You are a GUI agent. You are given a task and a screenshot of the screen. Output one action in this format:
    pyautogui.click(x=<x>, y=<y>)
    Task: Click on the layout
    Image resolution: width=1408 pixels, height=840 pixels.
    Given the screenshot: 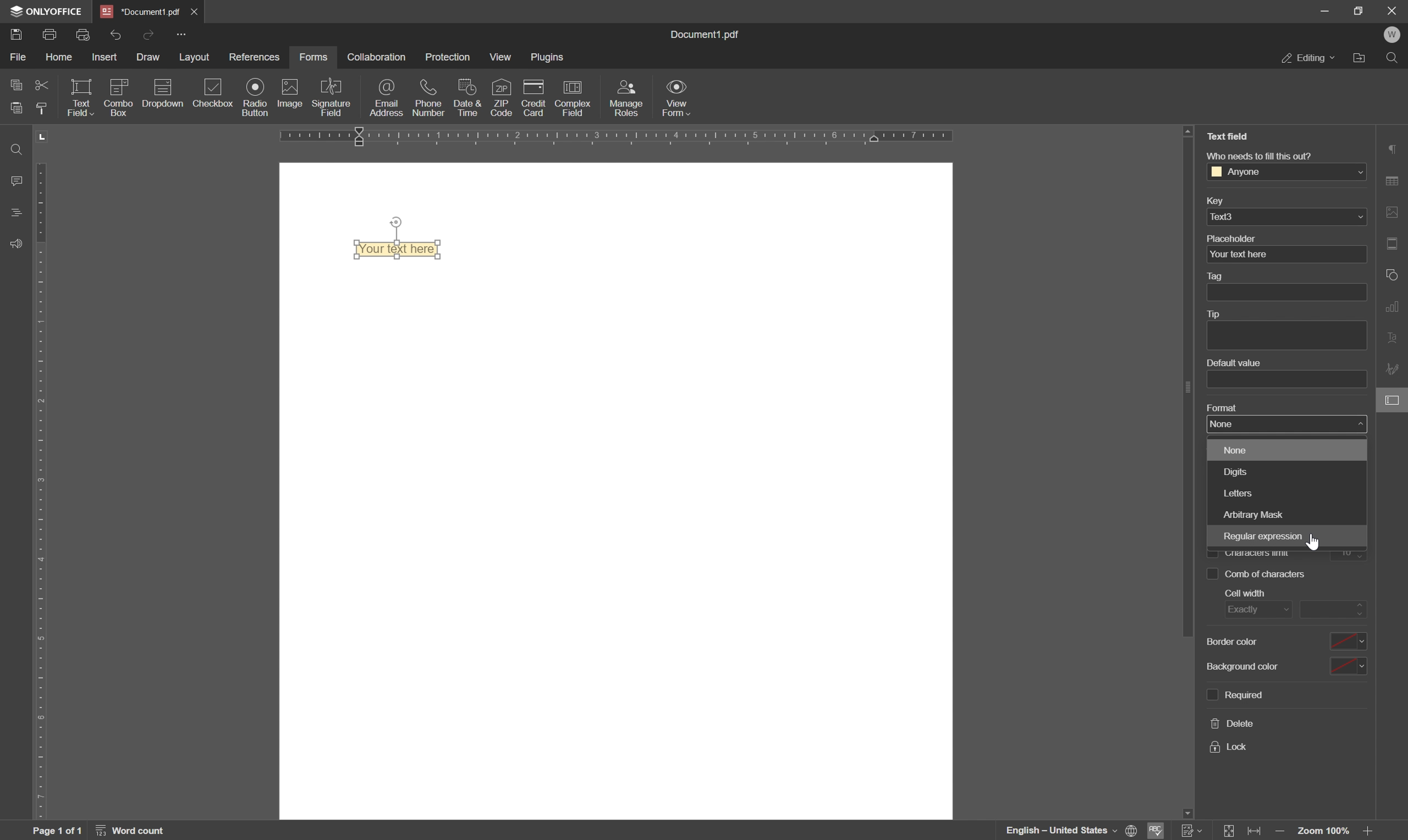 What is the action you would take?
    pyautogui.click(x=192, y=58)
    